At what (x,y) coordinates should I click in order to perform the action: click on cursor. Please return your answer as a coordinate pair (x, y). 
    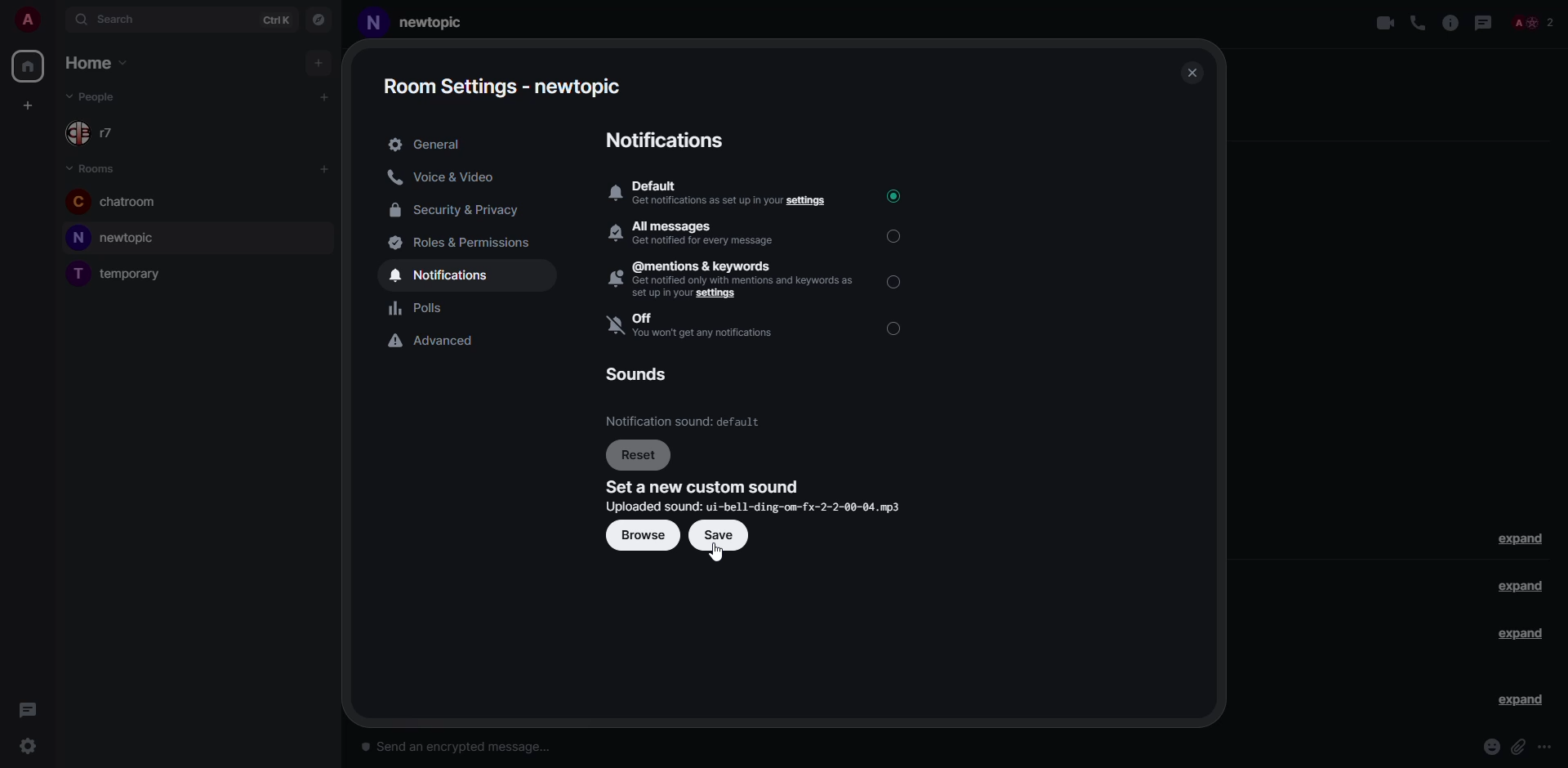
    Looking at the image, I should click on (715, 554).